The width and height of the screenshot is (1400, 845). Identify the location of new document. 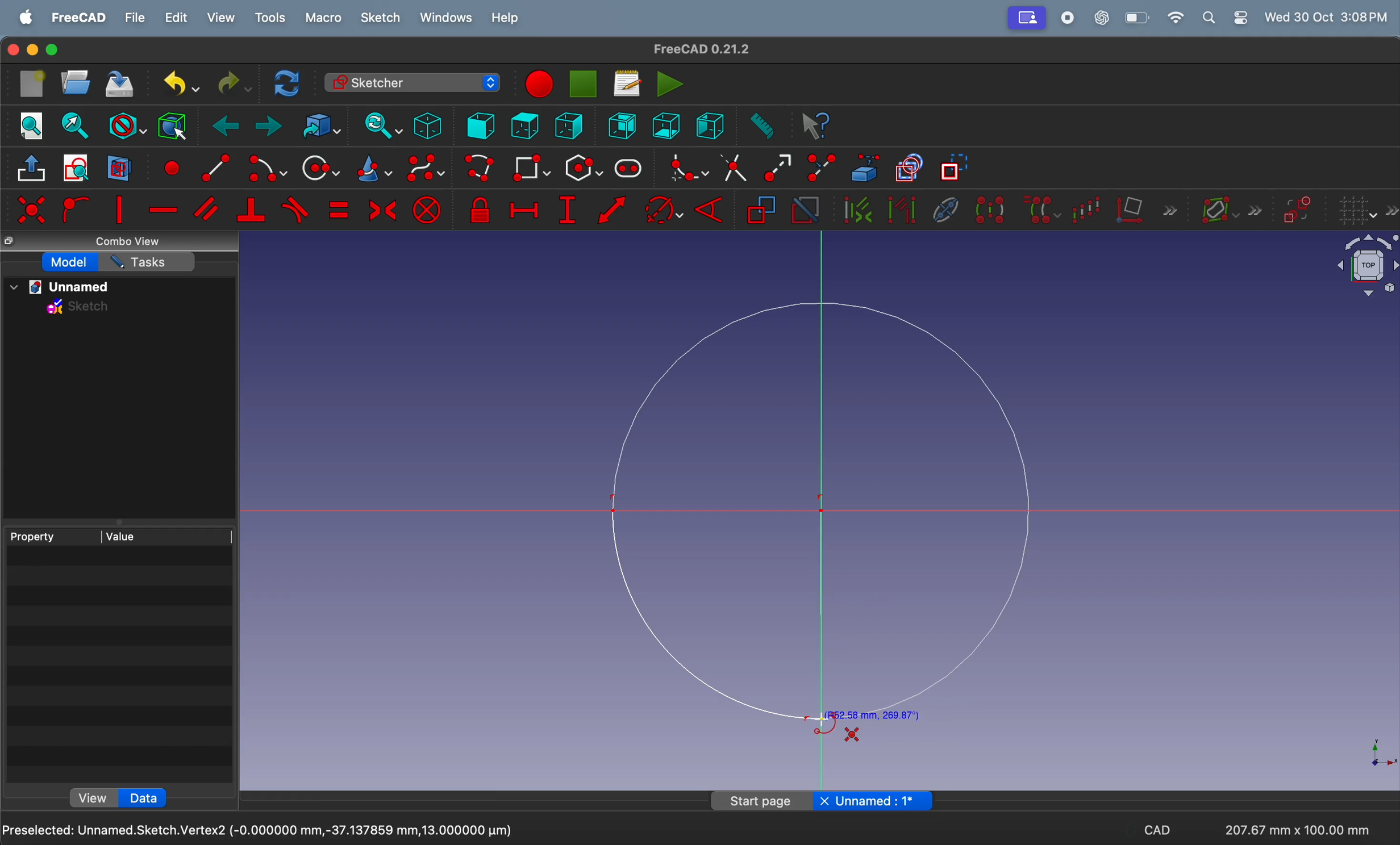
(34, 84).